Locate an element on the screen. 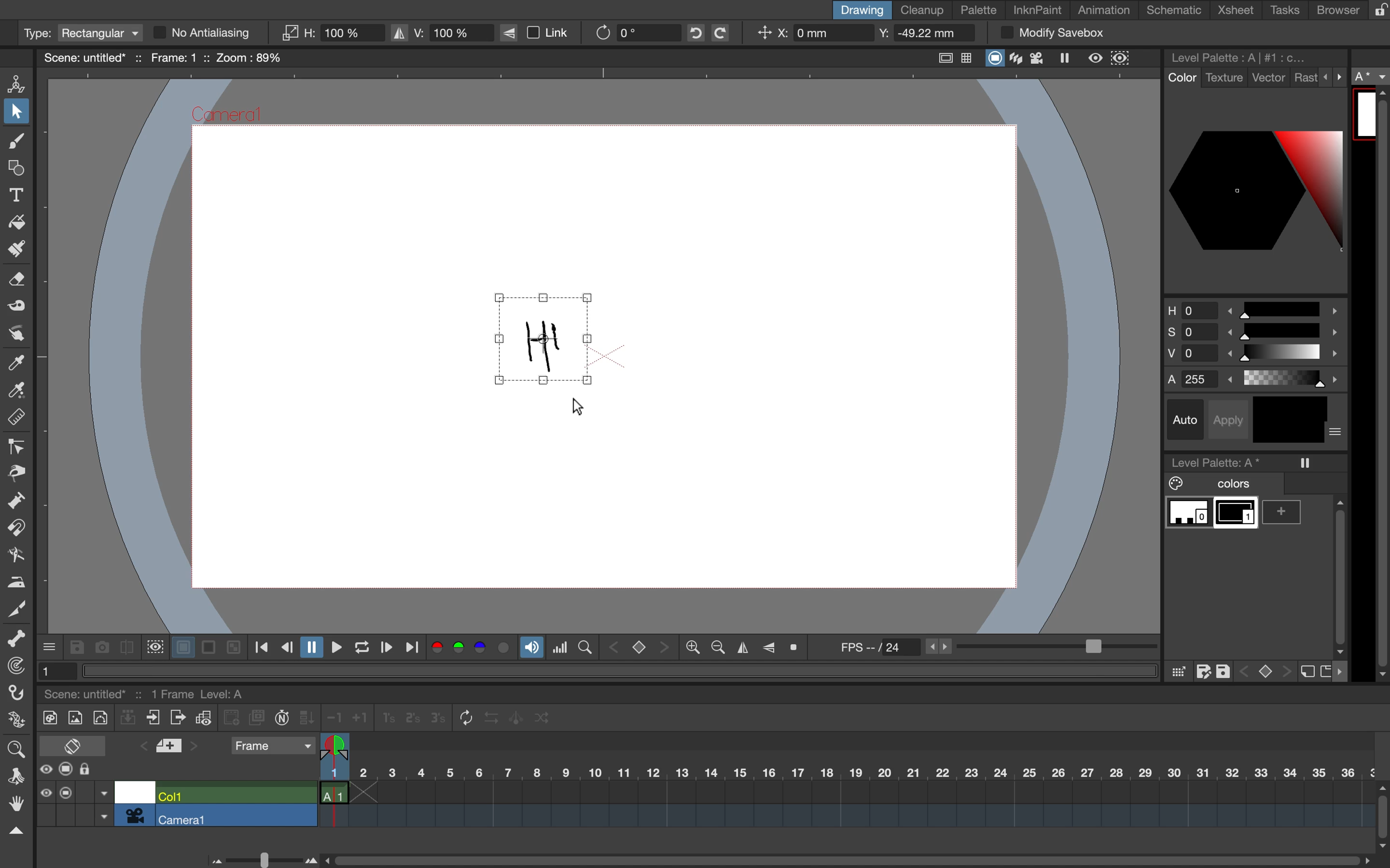 The image size is (1390, 868). undo is located at coordinates (692, 33).